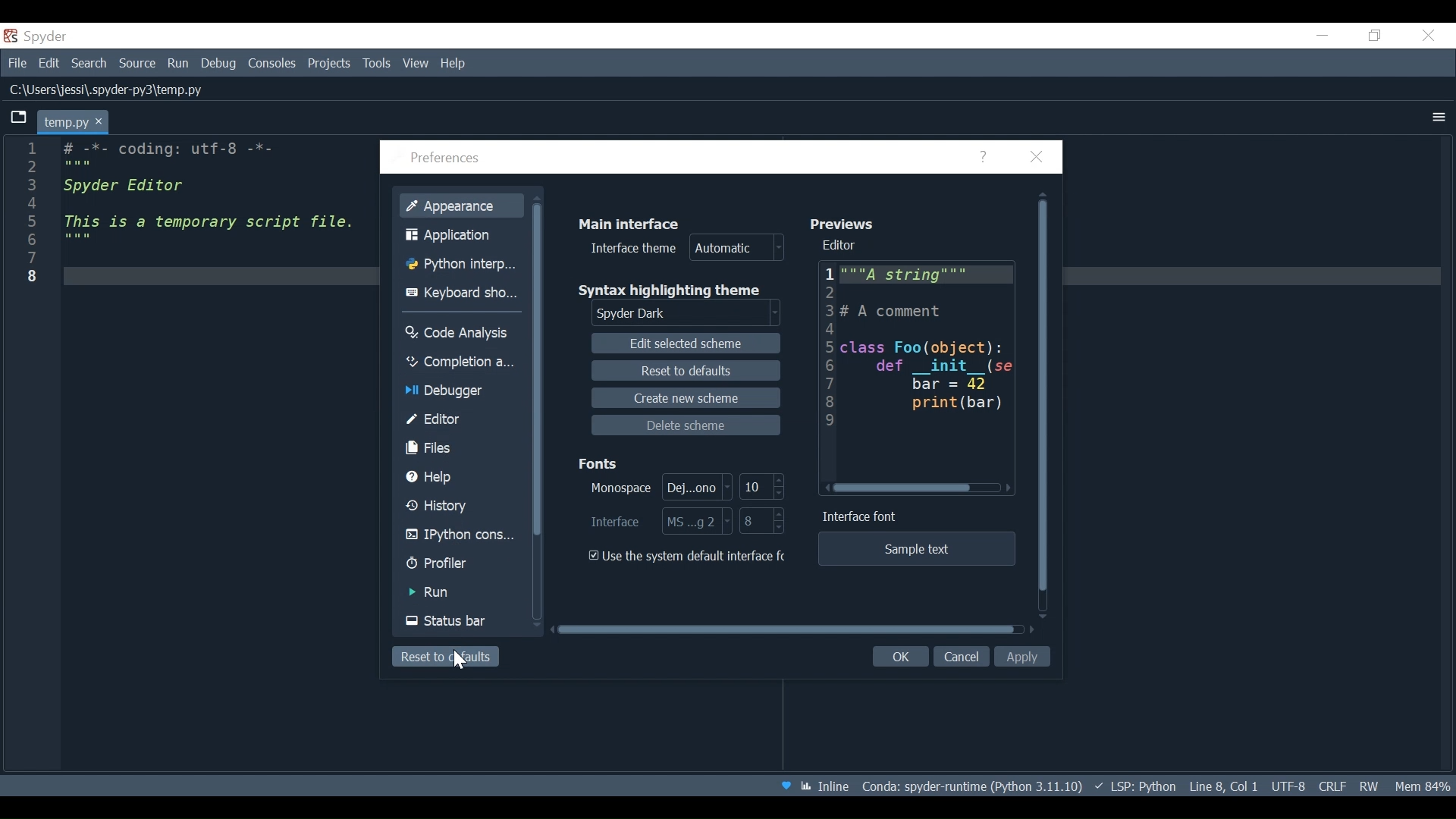 Image resolution: width=1456 pixels, height=819 pixels. I want to click on Help Spyder, so click(785, 787).